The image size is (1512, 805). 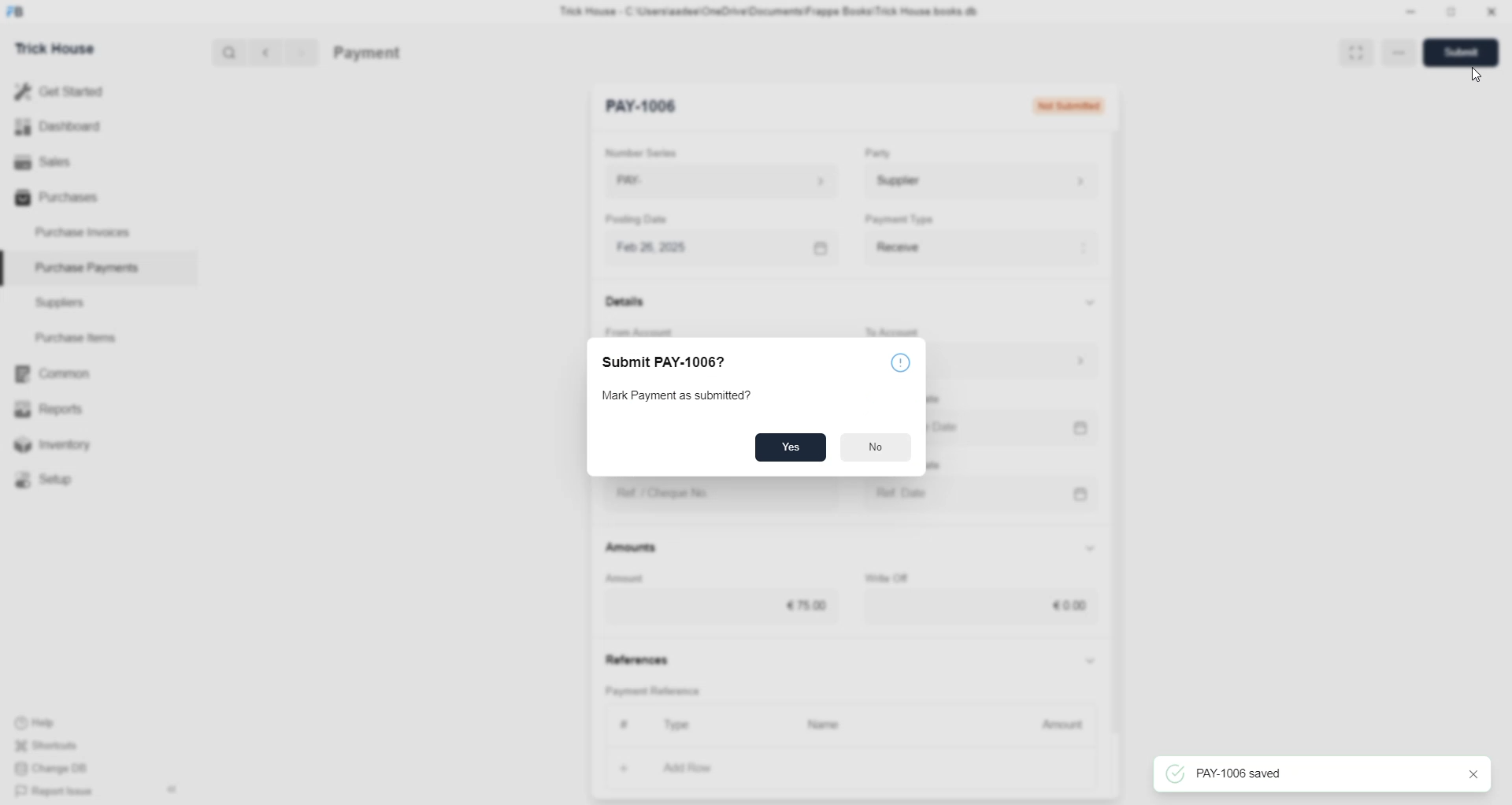 I want to click on Submit PAY-1006?, so click(x=676, y=365).